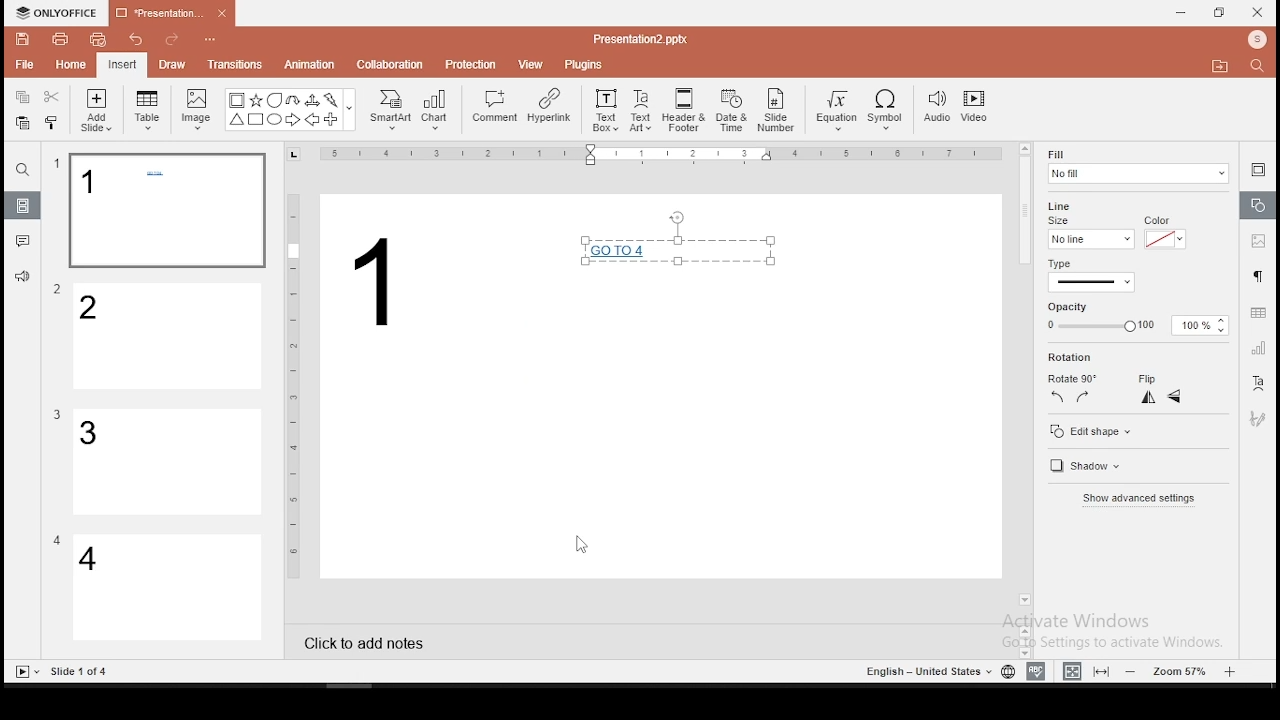 This screenshot has width=1280, height=720. Describe the element at coordinates (974, 109) in the screenshot. I see `video` at that location.